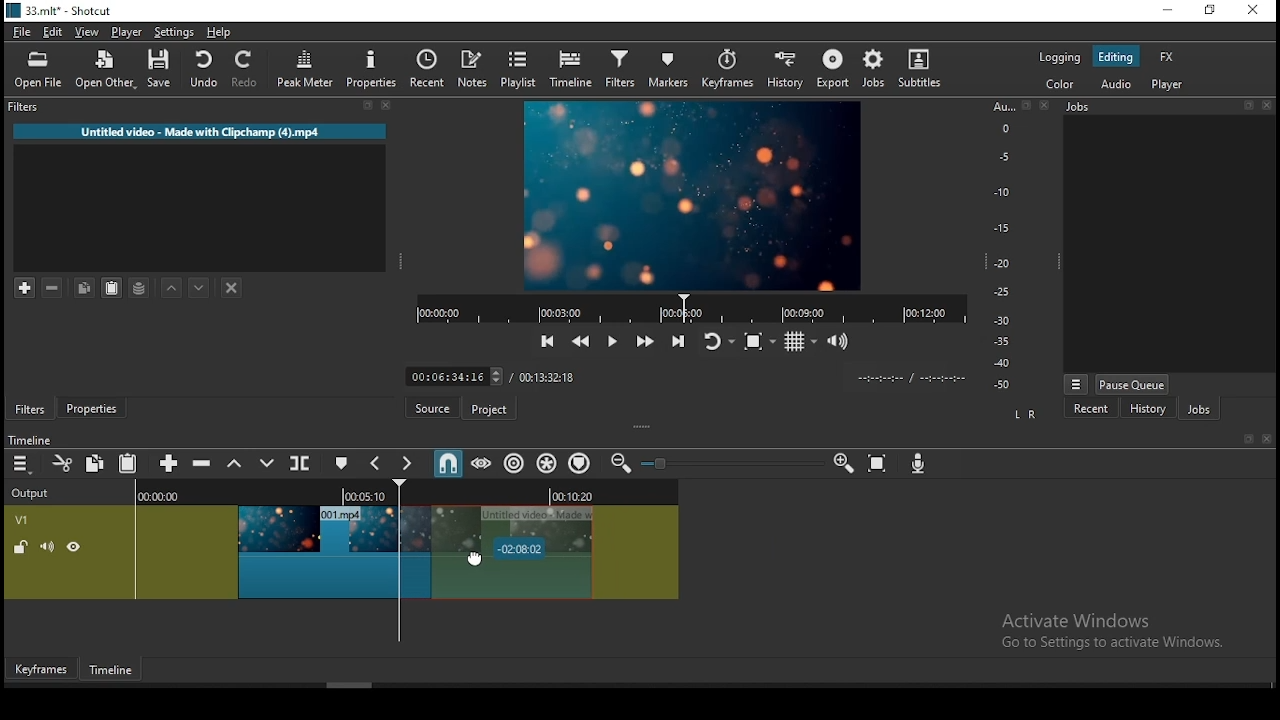  Describe the element at coordinates (58, 289) in the screenshot. I see `remove selected filters` at that location.